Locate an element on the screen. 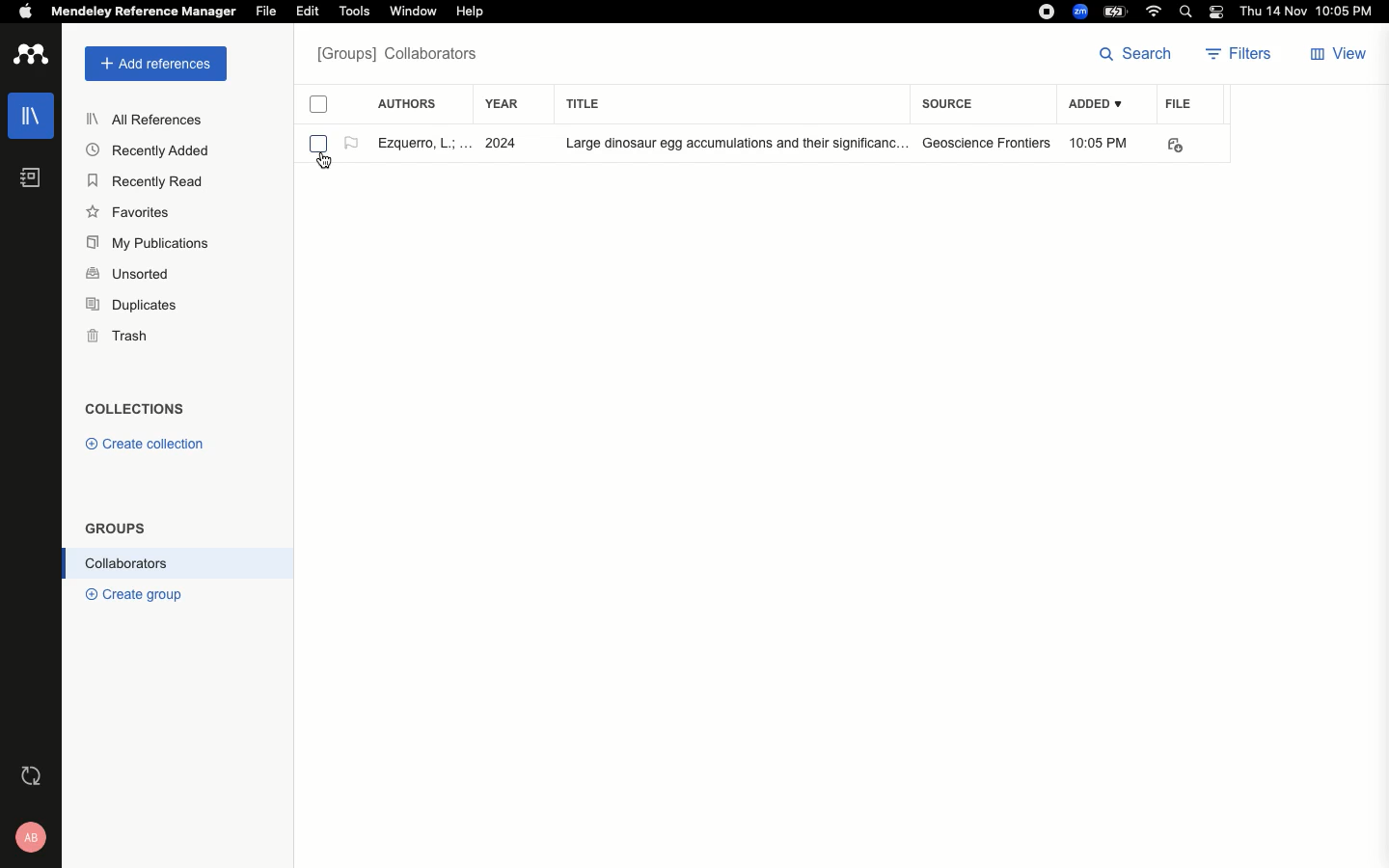  Tools is located at coordinates (355, 12).